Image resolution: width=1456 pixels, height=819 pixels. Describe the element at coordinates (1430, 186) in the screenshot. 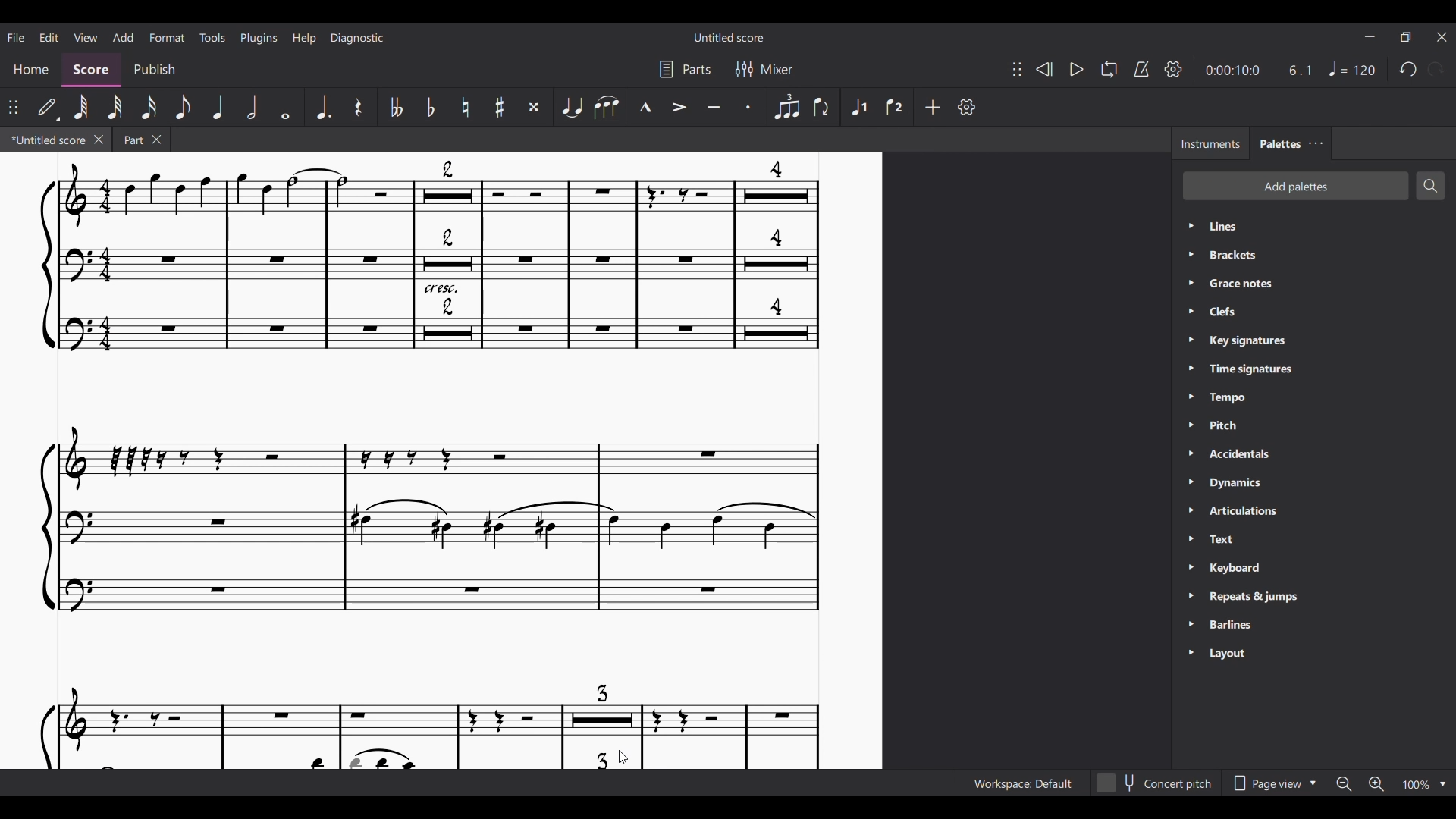

I see `Search palettes` at that location.